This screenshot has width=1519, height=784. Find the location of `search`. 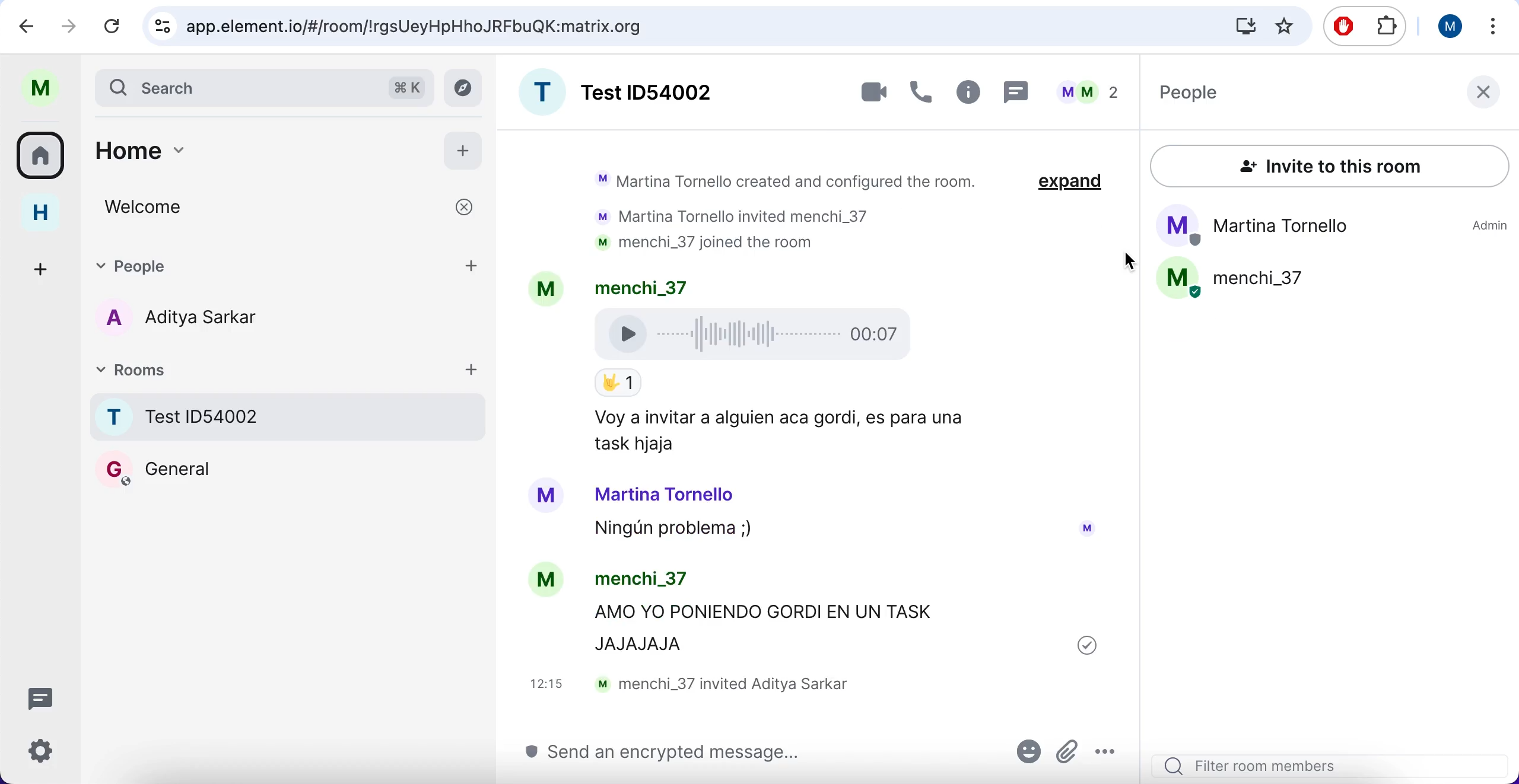

search is located at coordinates (263, 88).